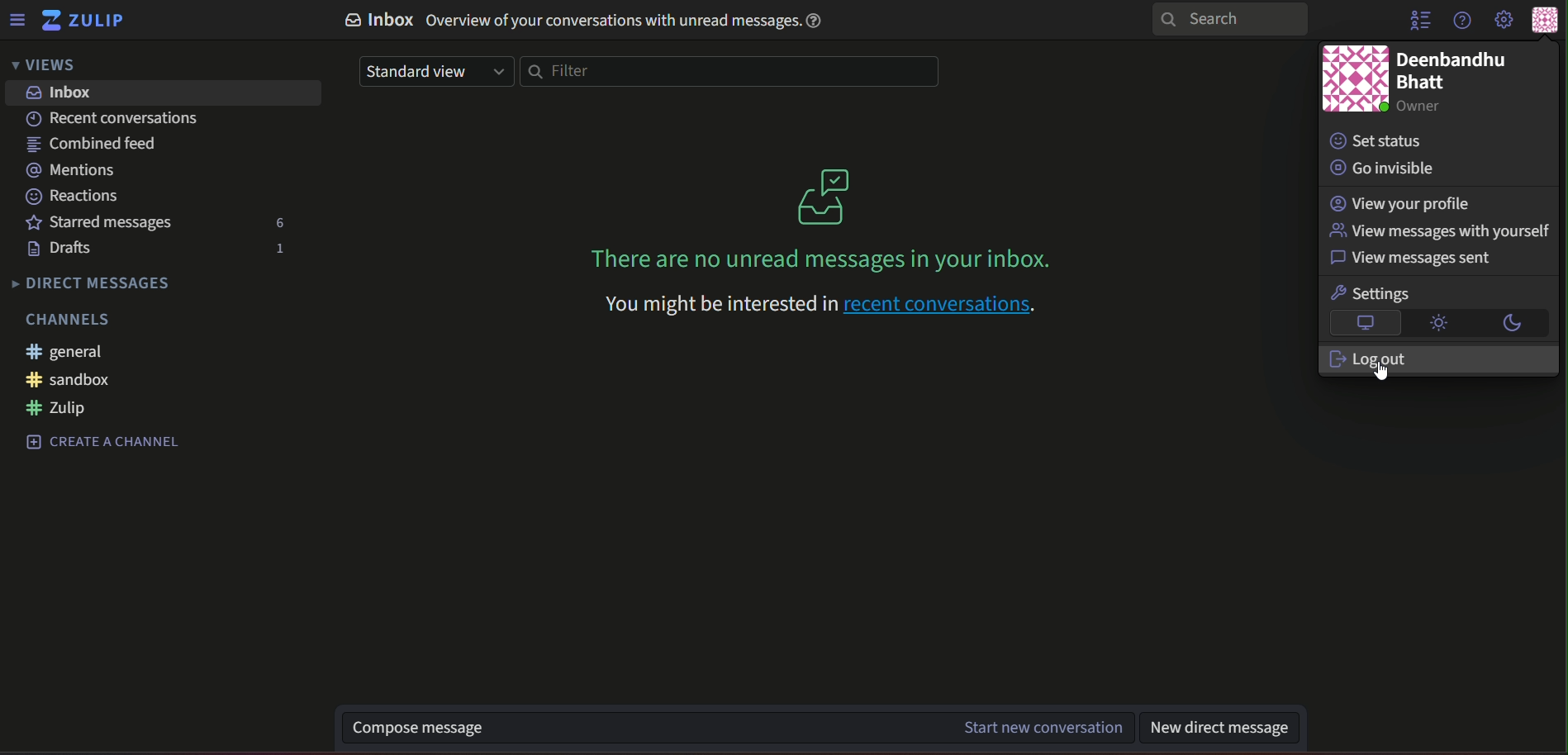 Image resolution: width=1568 pixels, height=755 pixels. Describe the element at coordinates (1356, 78) in the screenshot. I see `icon` at that location.